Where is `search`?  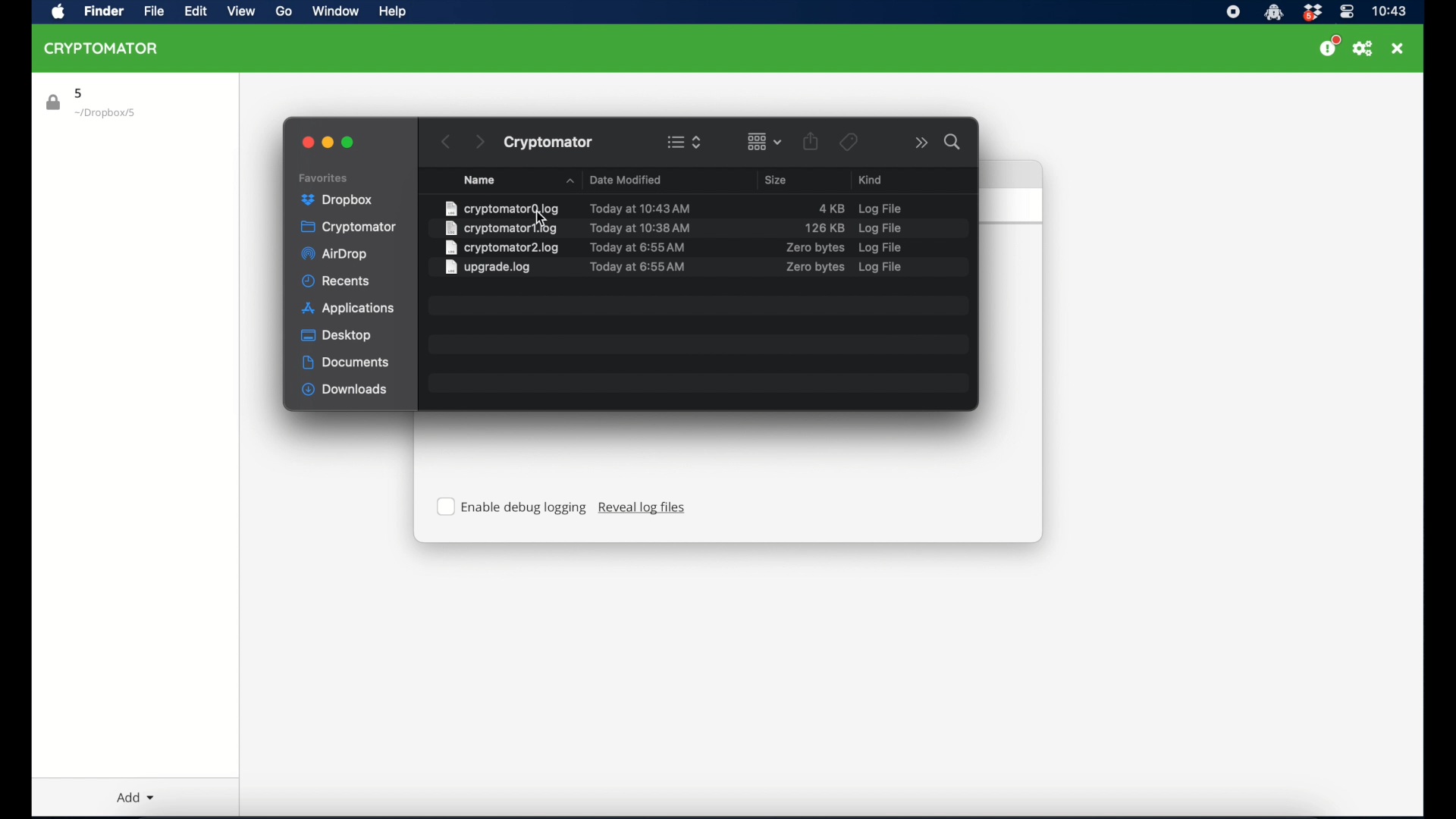
search is located at coordinates (953, 142).